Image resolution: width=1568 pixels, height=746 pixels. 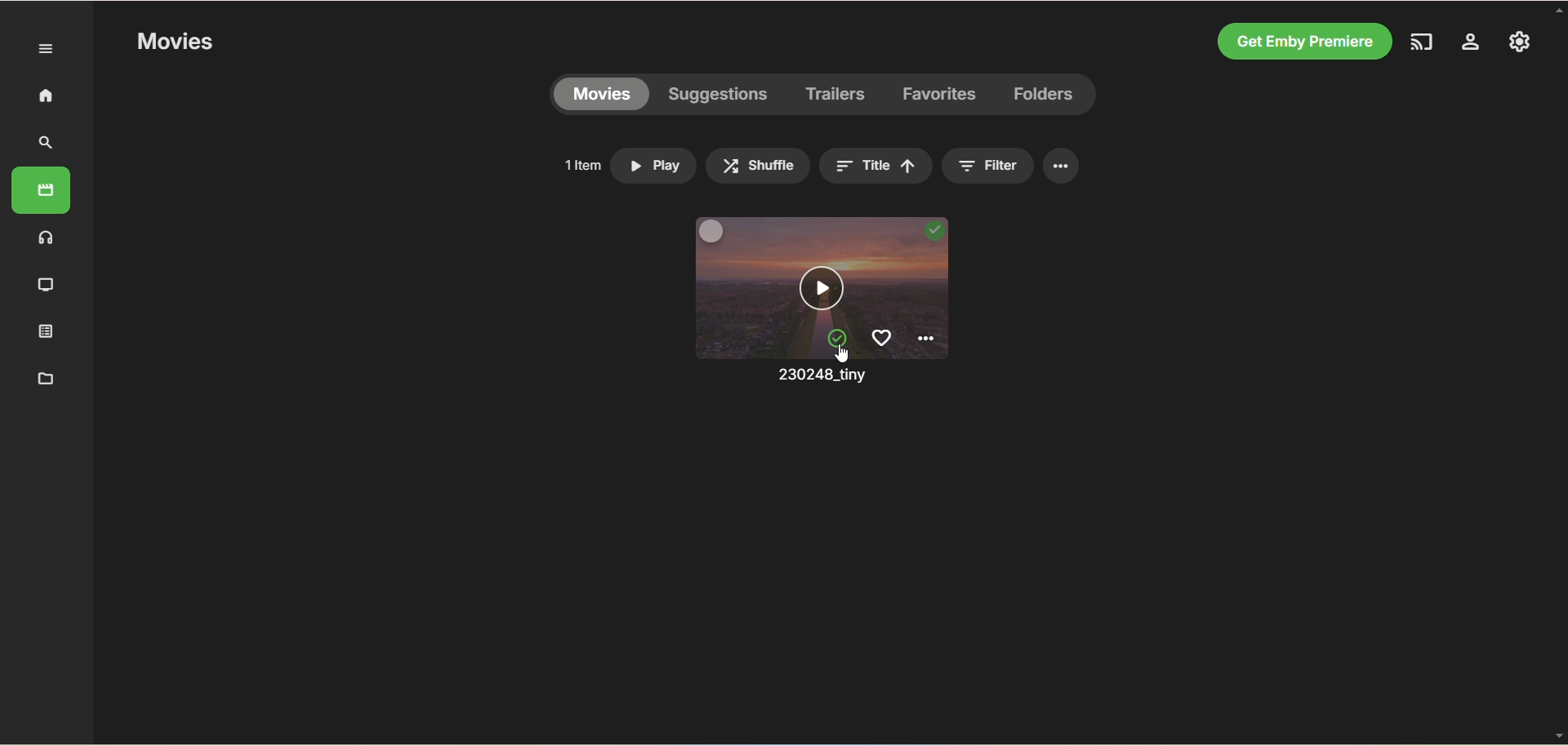 I want to click on get emby premiere, so click(x=1302, y=41).